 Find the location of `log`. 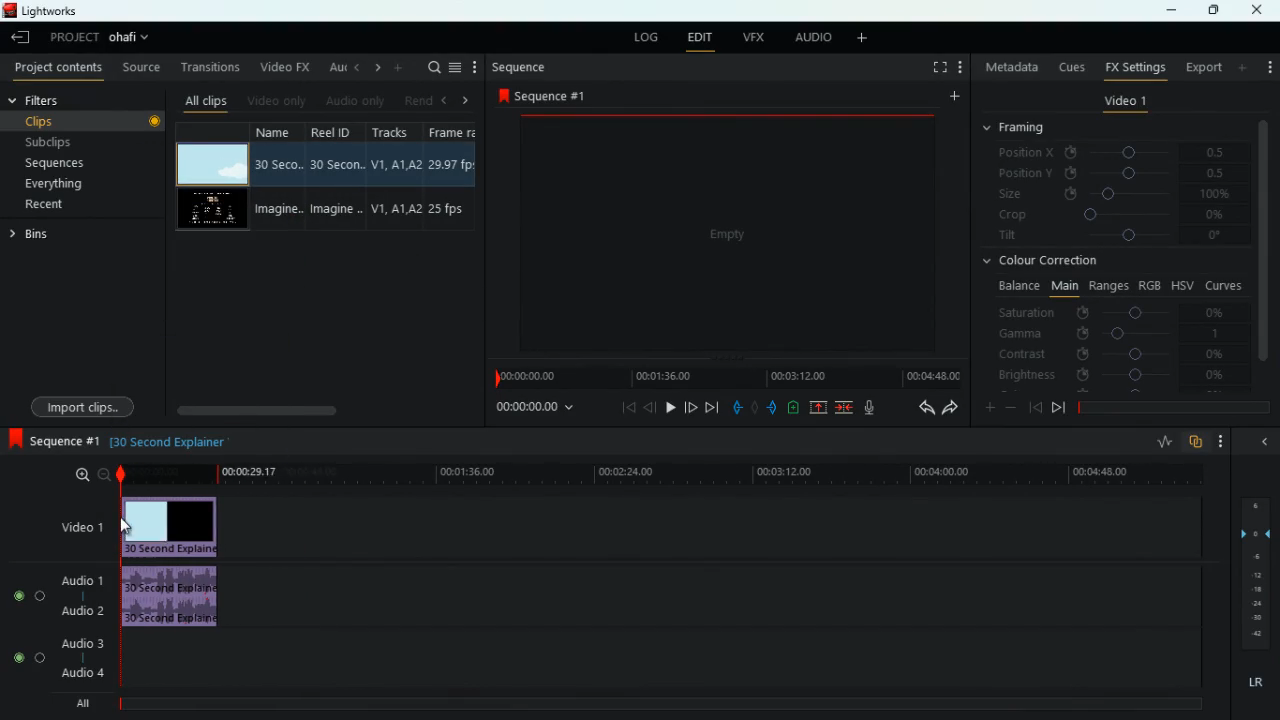

log is located at coordinates (650, 37).